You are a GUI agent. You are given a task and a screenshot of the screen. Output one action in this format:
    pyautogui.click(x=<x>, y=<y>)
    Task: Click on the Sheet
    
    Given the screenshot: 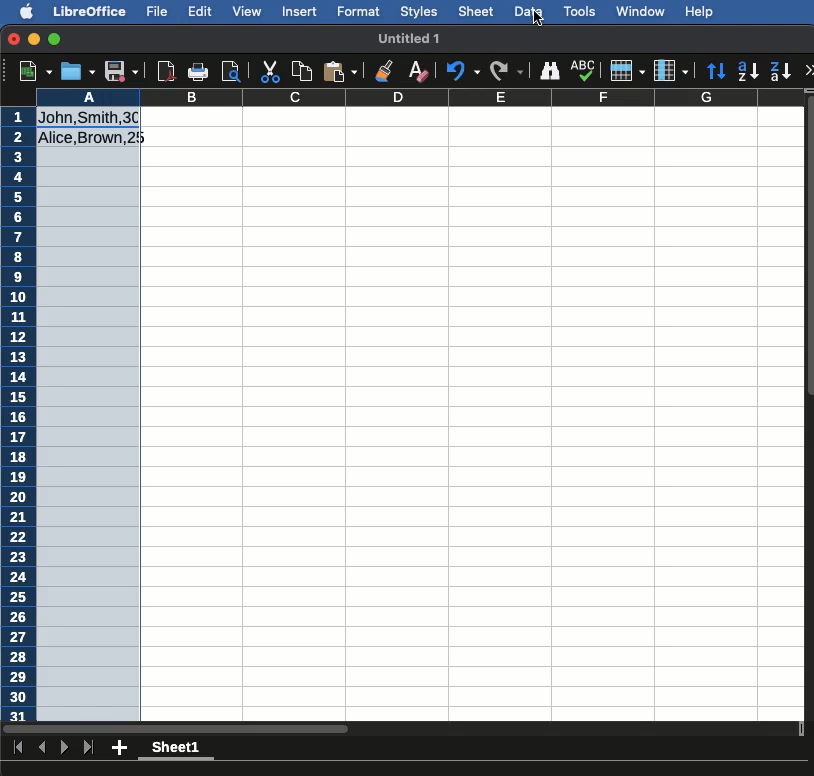 What is the action you would take?
    pyautogui.click(x=181, y=750)
    